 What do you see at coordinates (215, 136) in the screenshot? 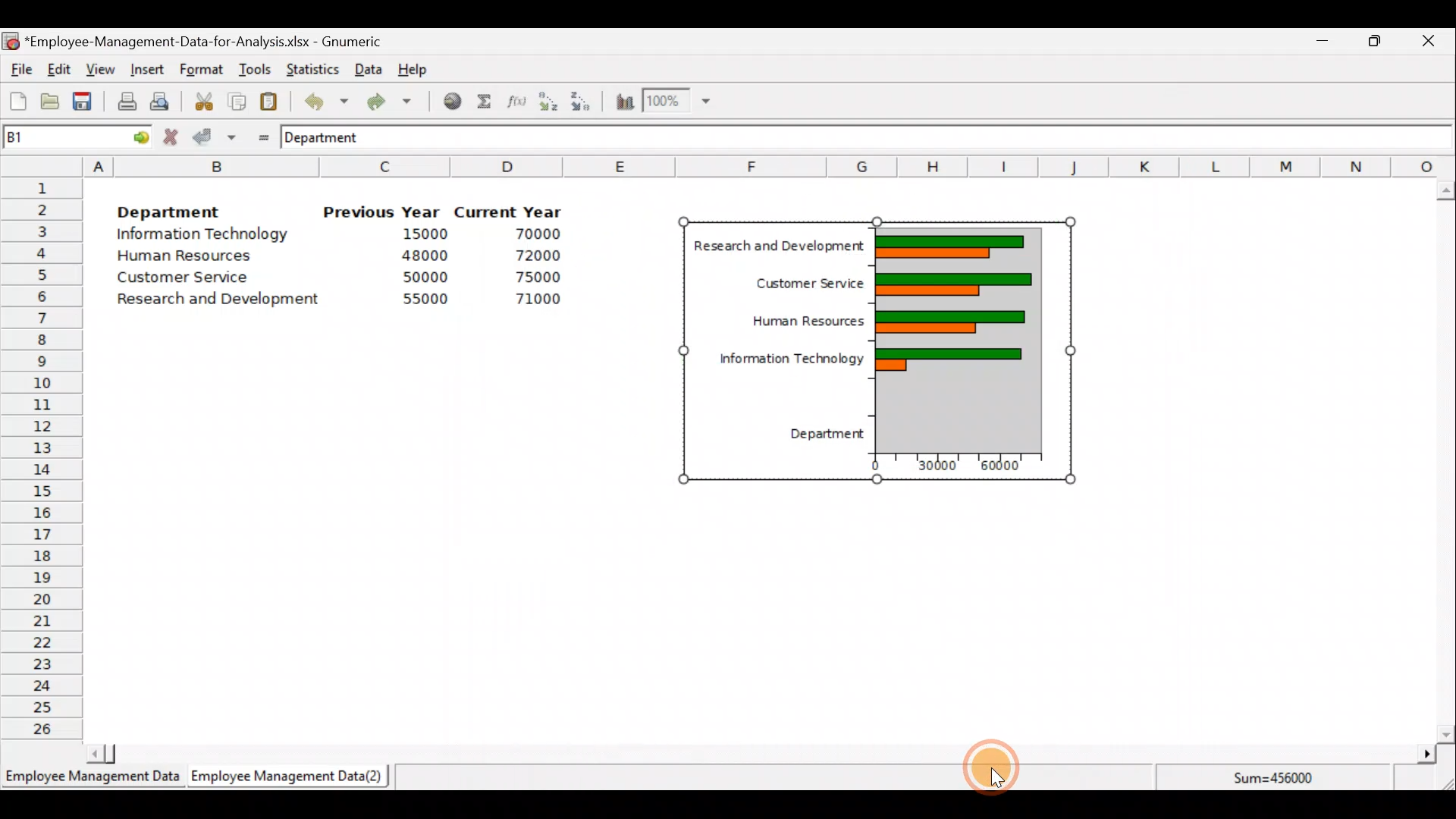
I see `Accept change` at bounding box center [215, 136].